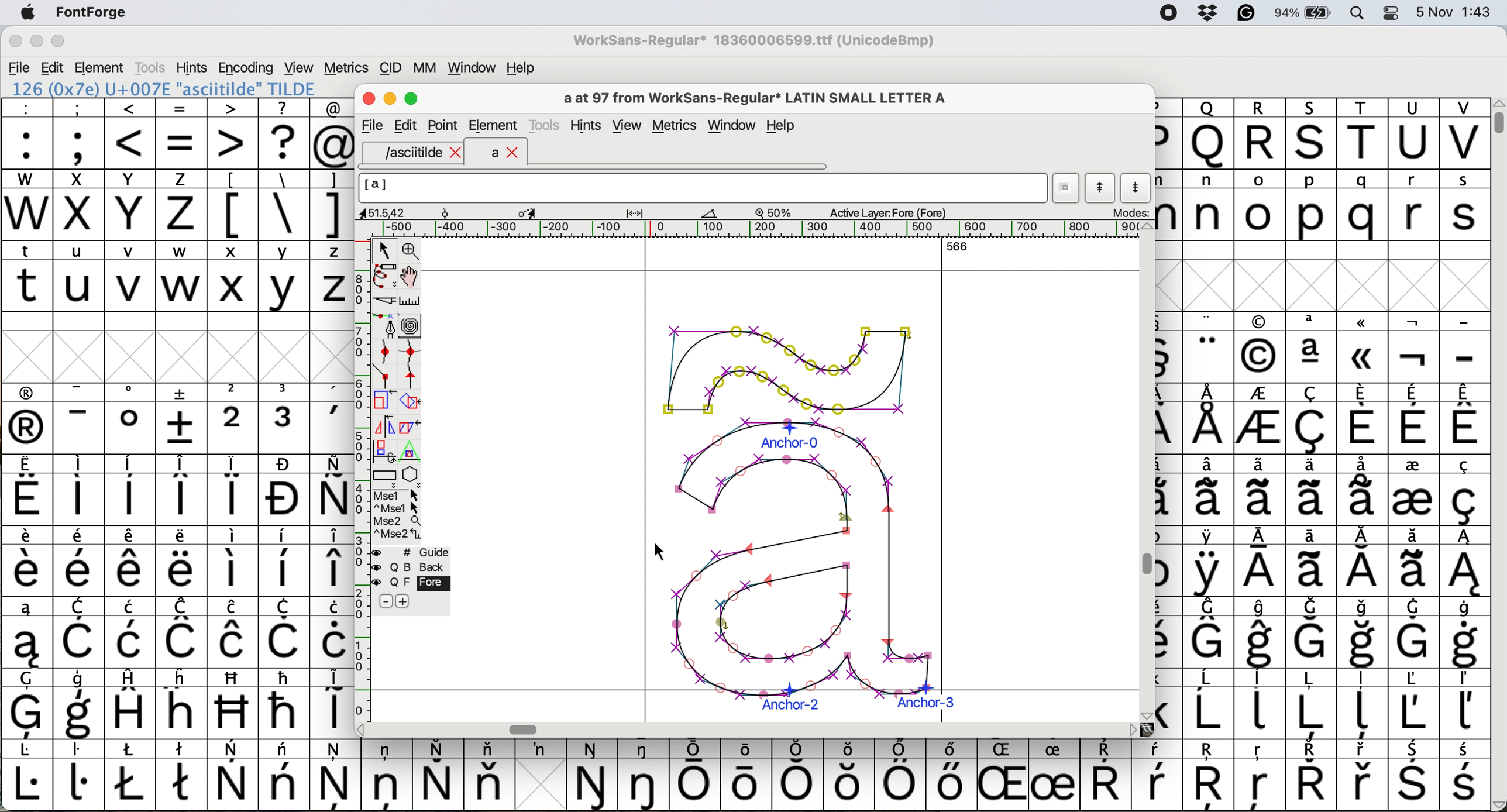 This screenshot has width=1507, height=812. Describe the element at coordinates (413, 429) in the screenshot. I see `skew selection` at that location.